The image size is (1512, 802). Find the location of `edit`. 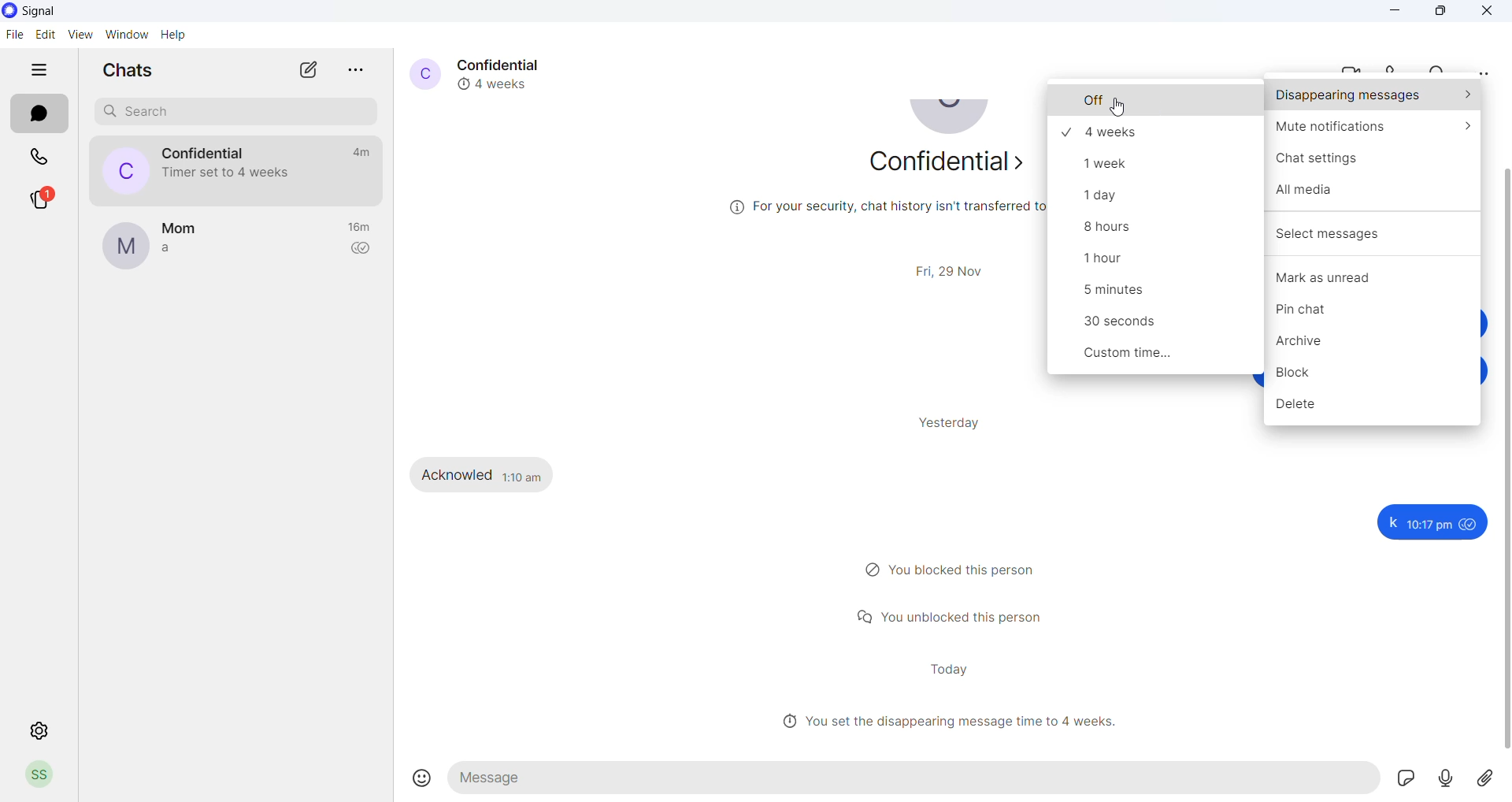

edit is located at coordinates (42, 35).